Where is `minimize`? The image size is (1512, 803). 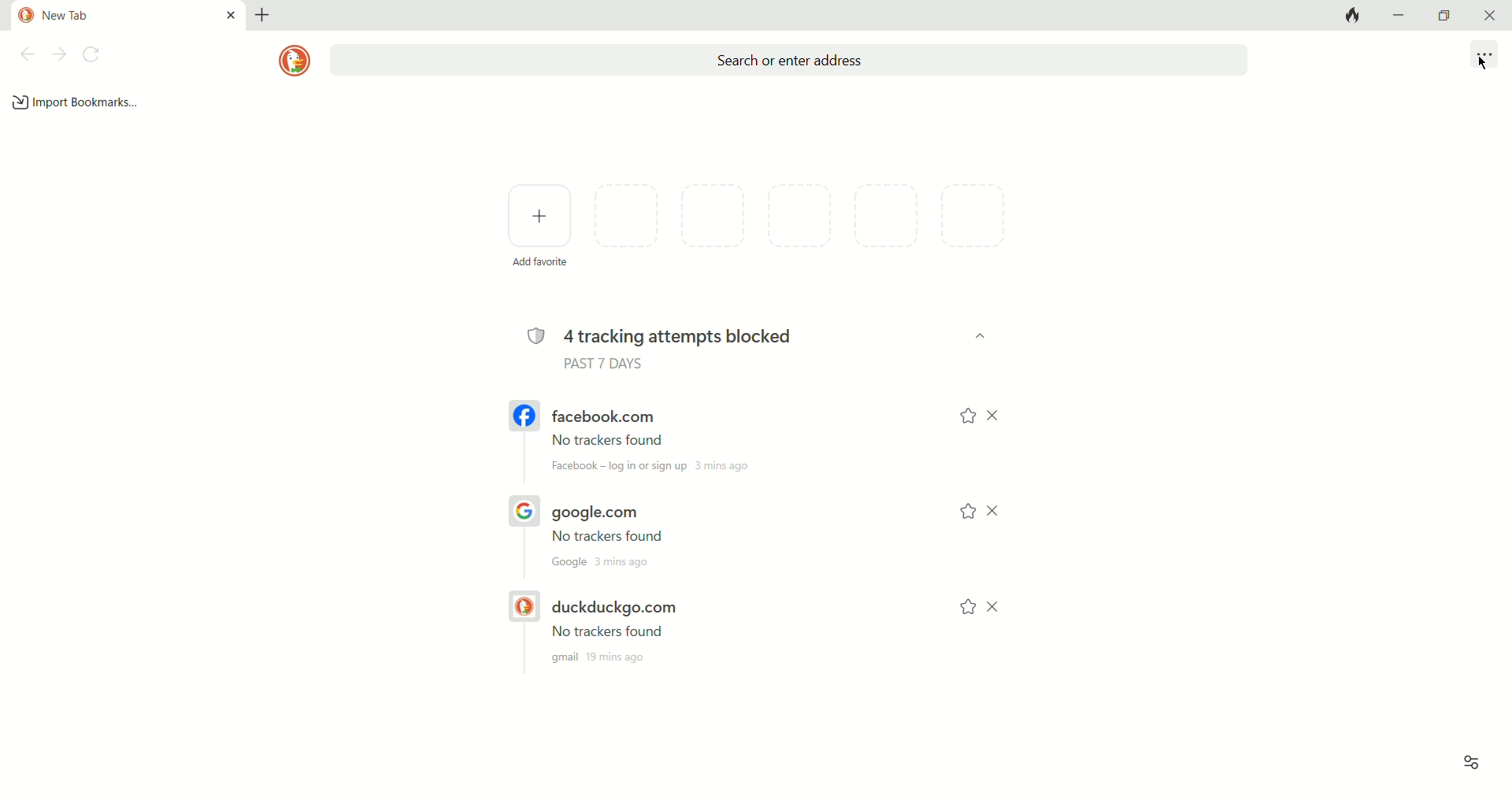 minimize is located at coordinates (1399, 16).